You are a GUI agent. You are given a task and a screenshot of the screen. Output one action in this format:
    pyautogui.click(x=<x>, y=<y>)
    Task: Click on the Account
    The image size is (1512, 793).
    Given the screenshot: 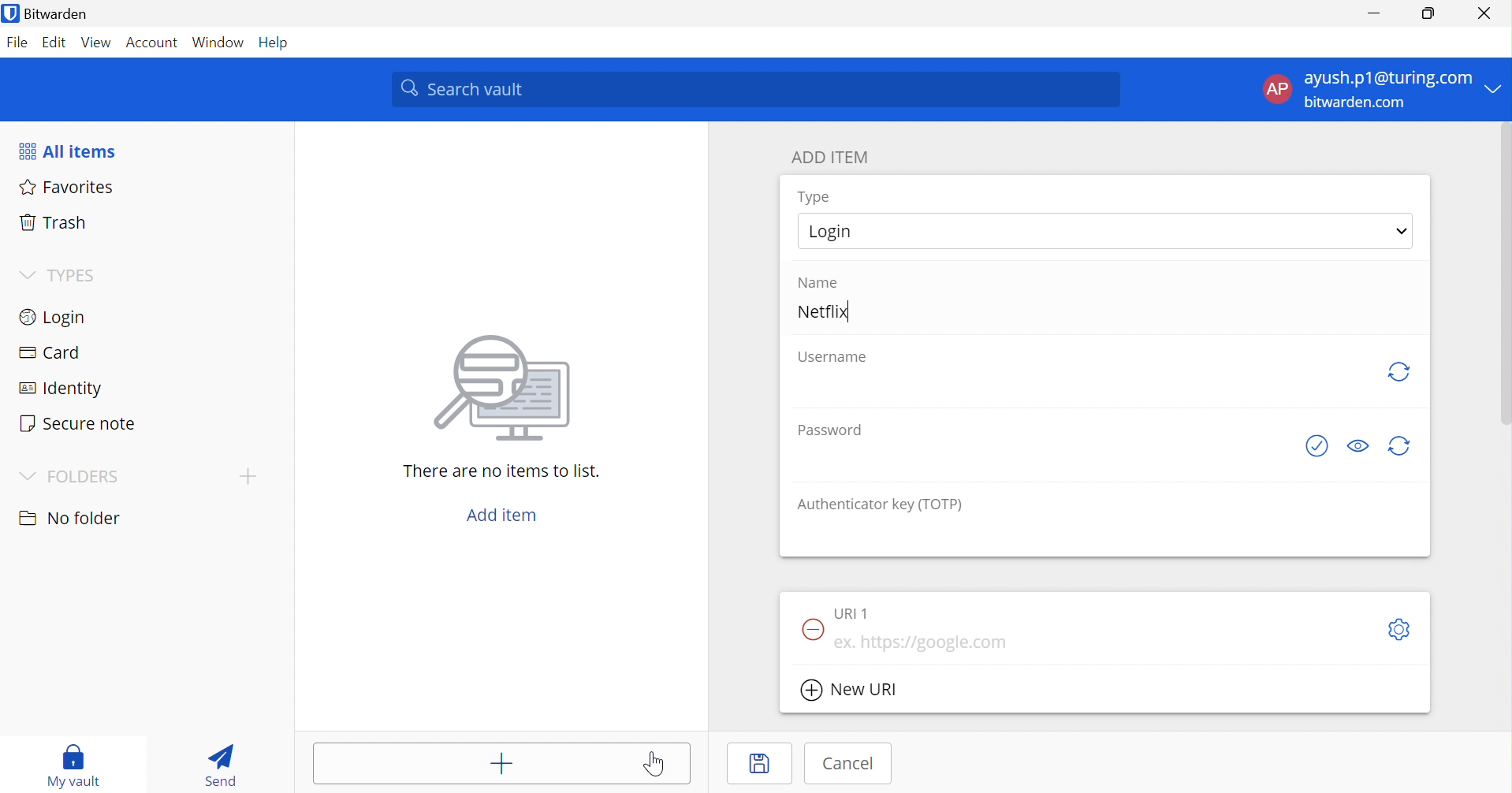 What is the action you would take?
    pyautogui.click(x=150, y=42)
    